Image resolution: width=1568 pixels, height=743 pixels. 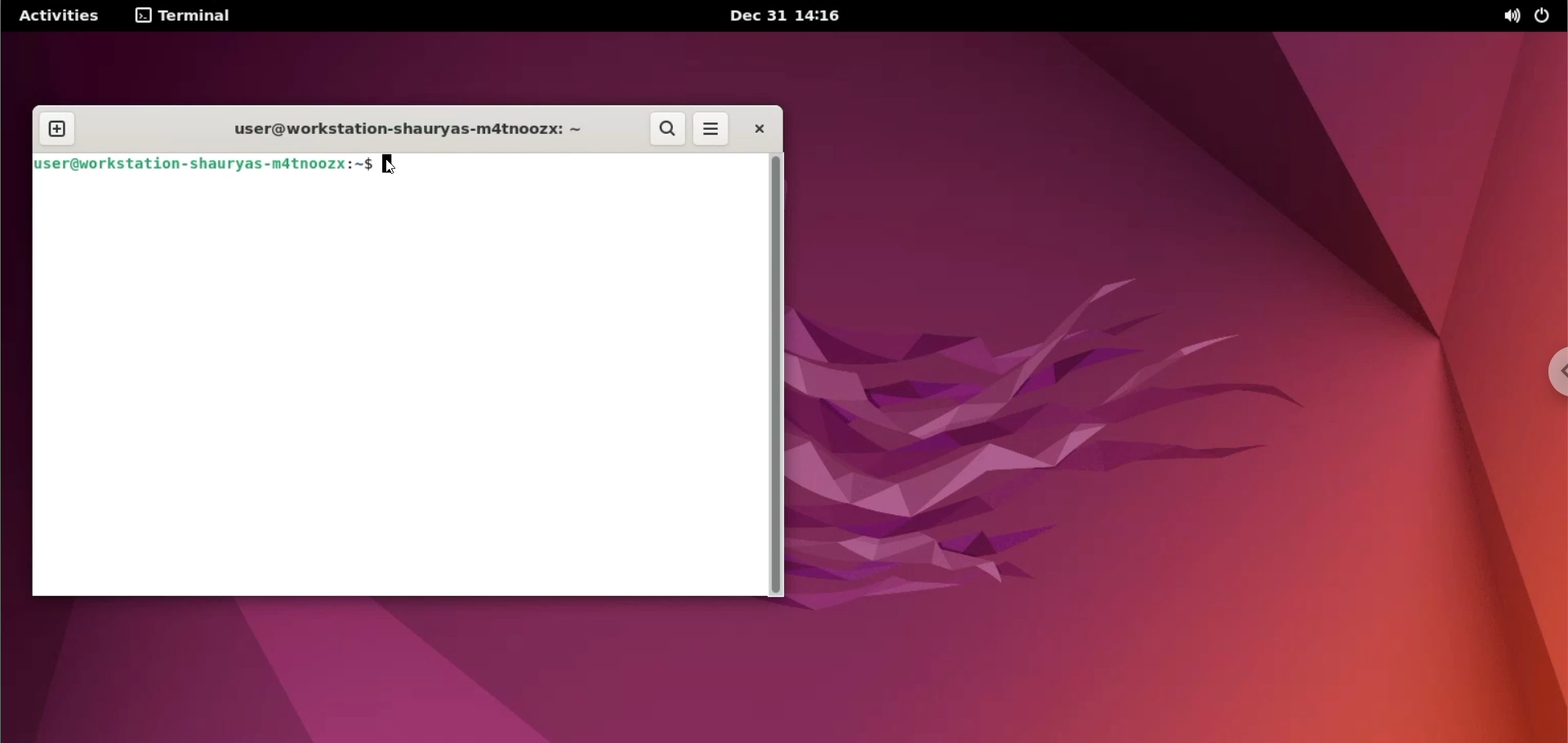 What do you see at coordinates (199, 165) in the screenshot?
I see `user@workstation-shauryas-m4tnoozx:~$` at bounding box center [199, 165].